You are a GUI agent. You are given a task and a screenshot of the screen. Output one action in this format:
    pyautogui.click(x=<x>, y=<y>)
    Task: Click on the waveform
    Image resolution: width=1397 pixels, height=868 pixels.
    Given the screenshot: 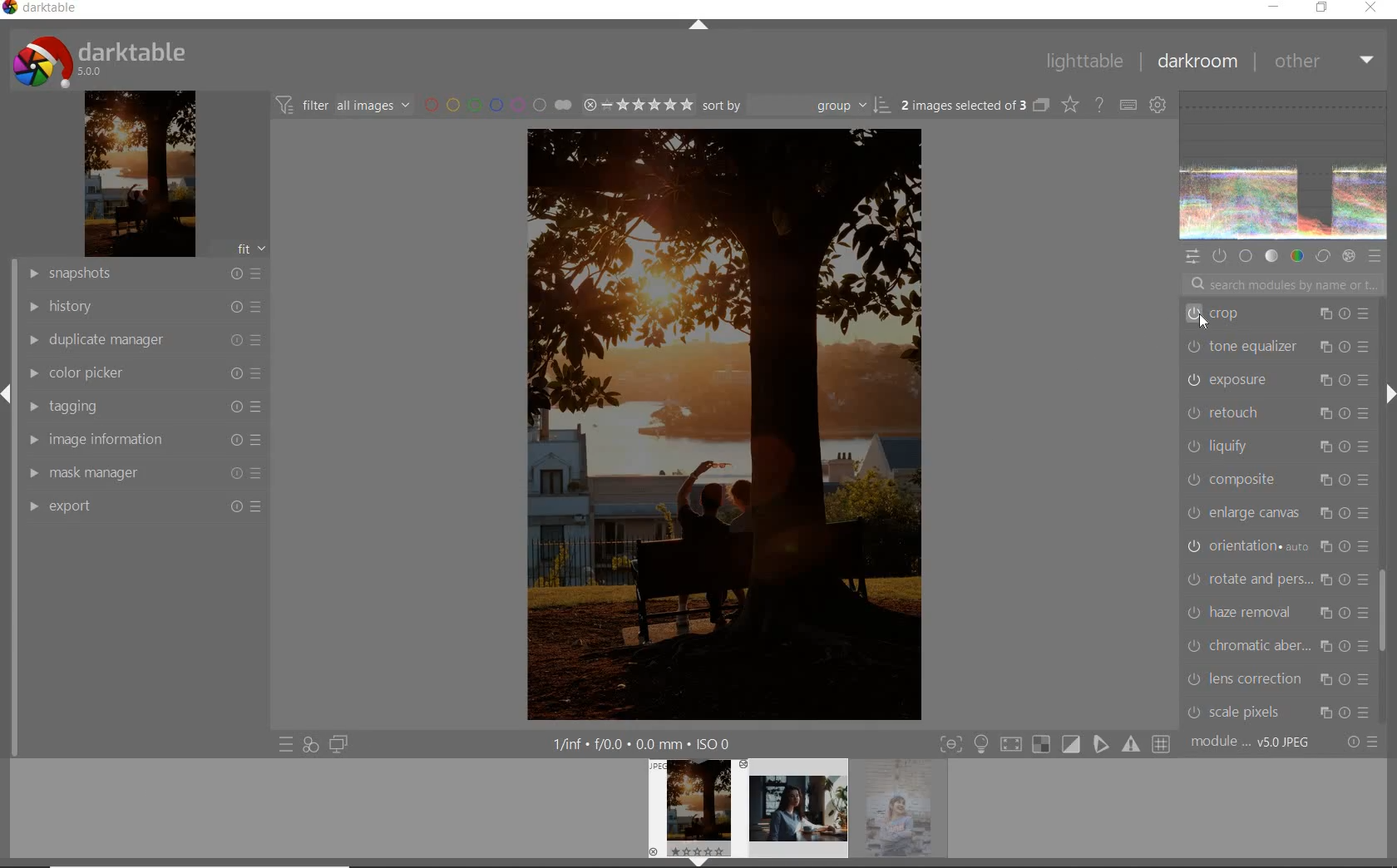 What is the action you would take?
    pyautogui.click(x=1283, y=167)
    